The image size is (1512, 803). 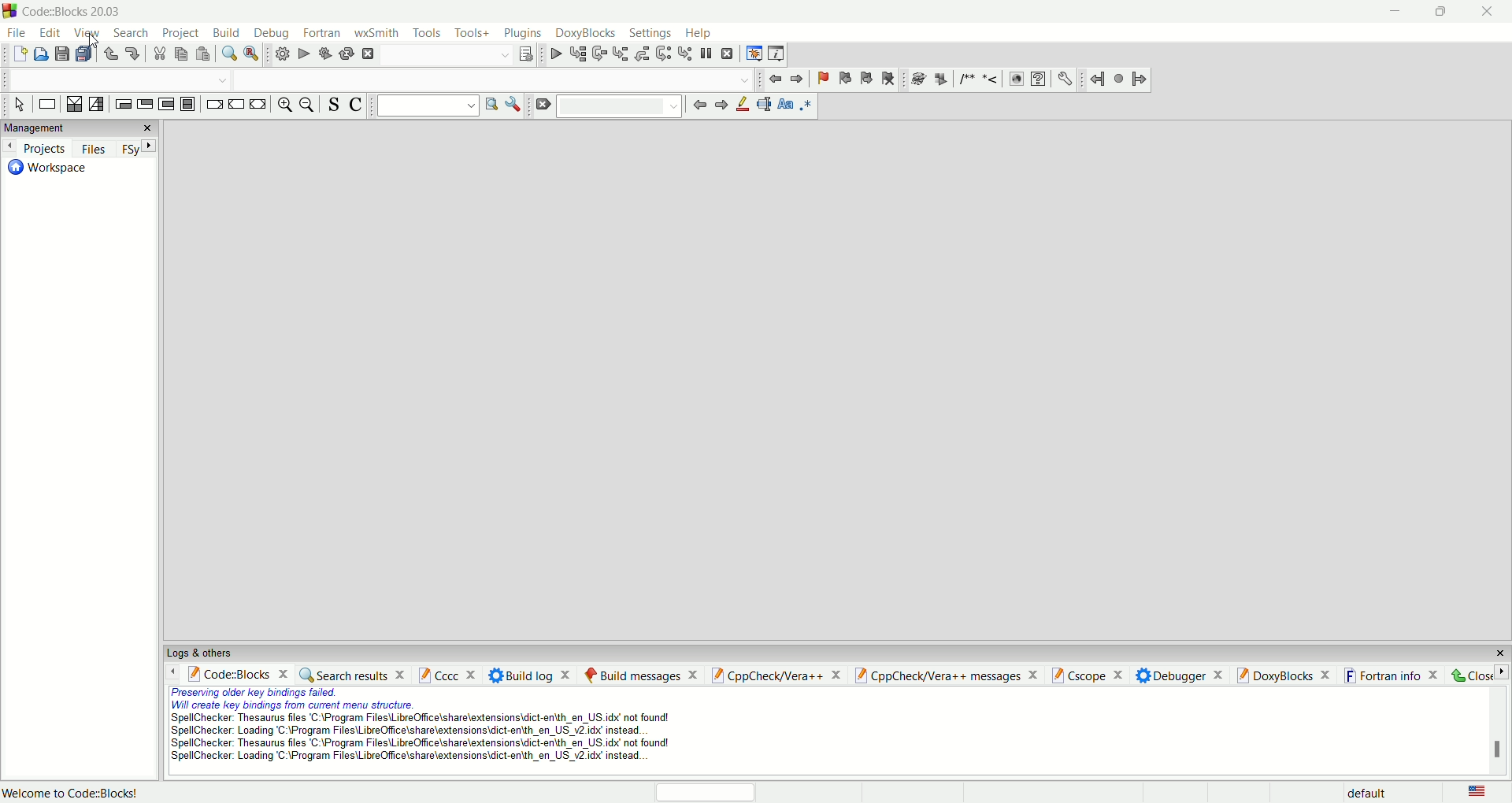 I want to click on fortan, so click(x=322, y=33).